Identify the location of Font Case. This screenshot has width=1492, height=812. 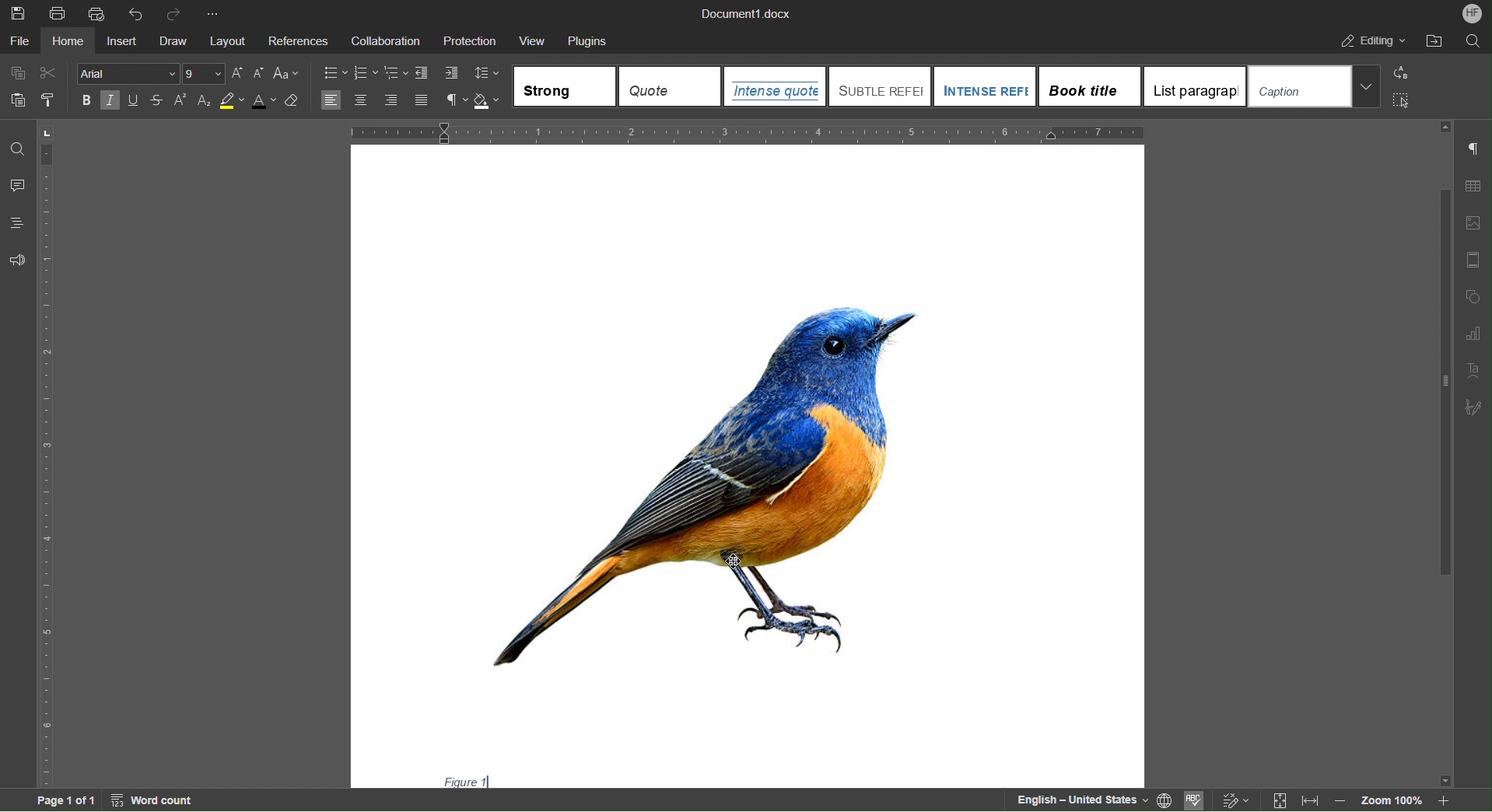
(286, 73).